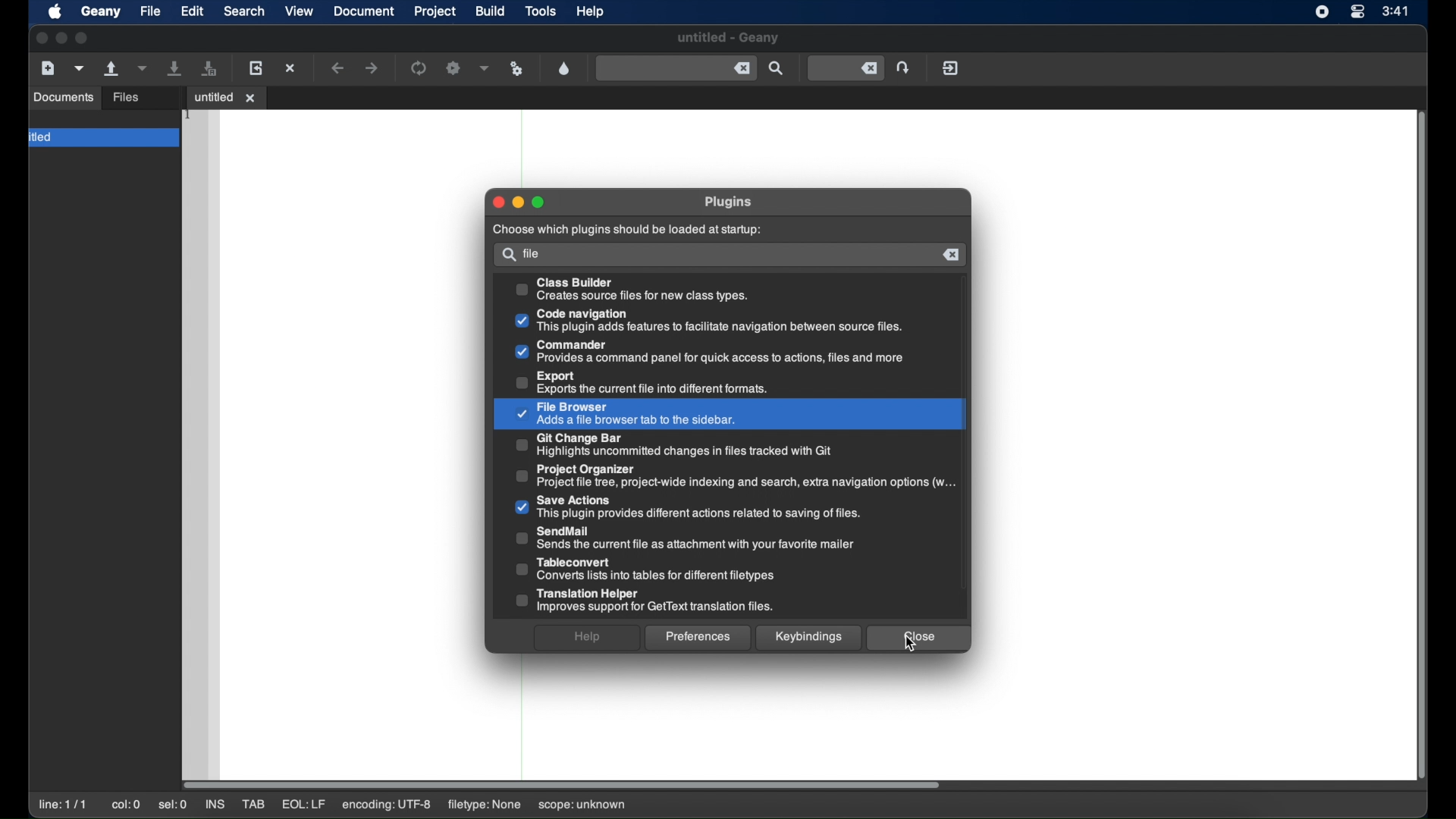  Describe the element at coordinates (48, 68) in the screenshot. I see `create a new file` at that location.